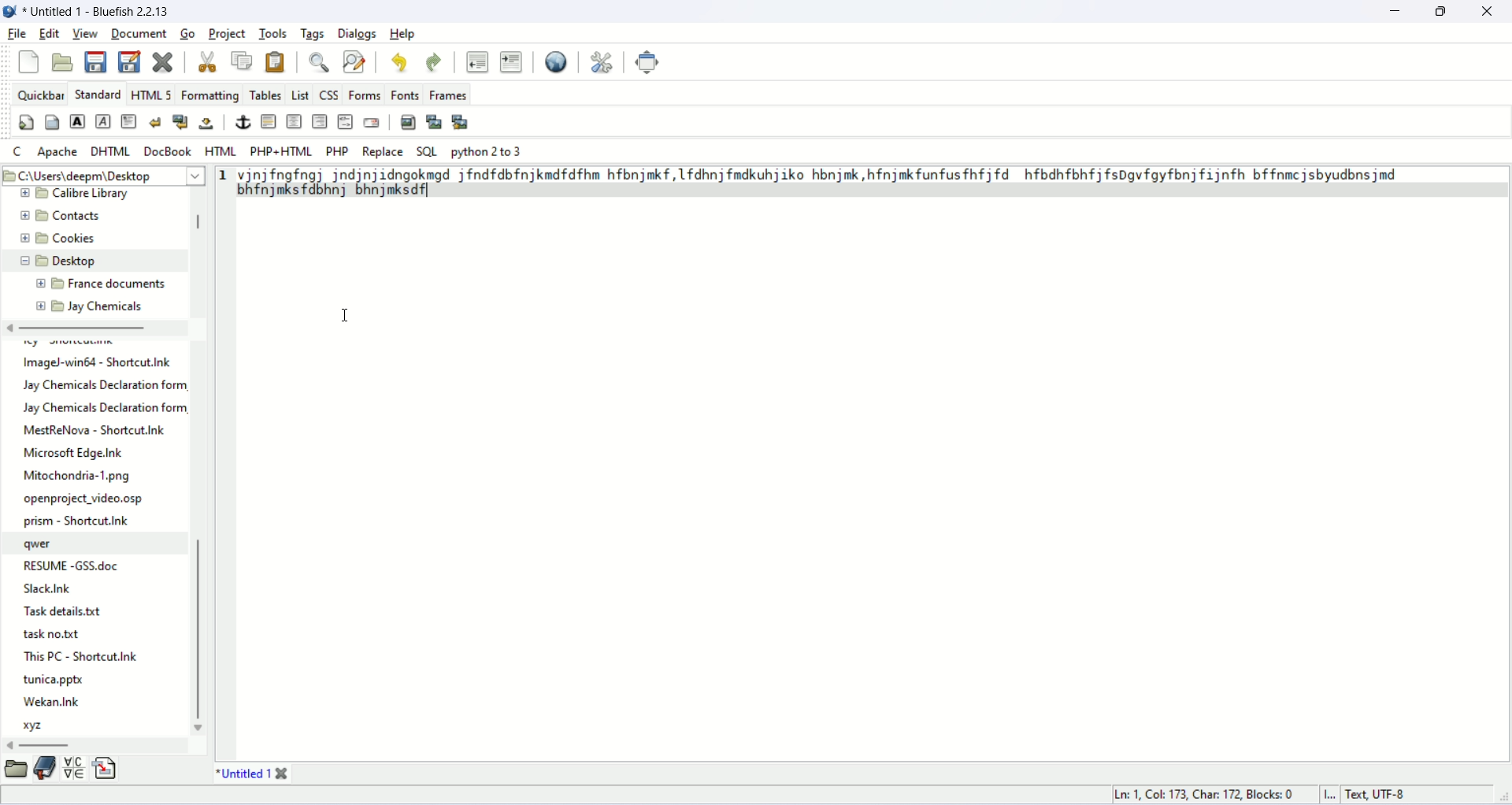 The width and height of the screenshot is (1512, 805). Describe the element at coordinates (346, 316) in the screenshot. I see `cursor` at that location.